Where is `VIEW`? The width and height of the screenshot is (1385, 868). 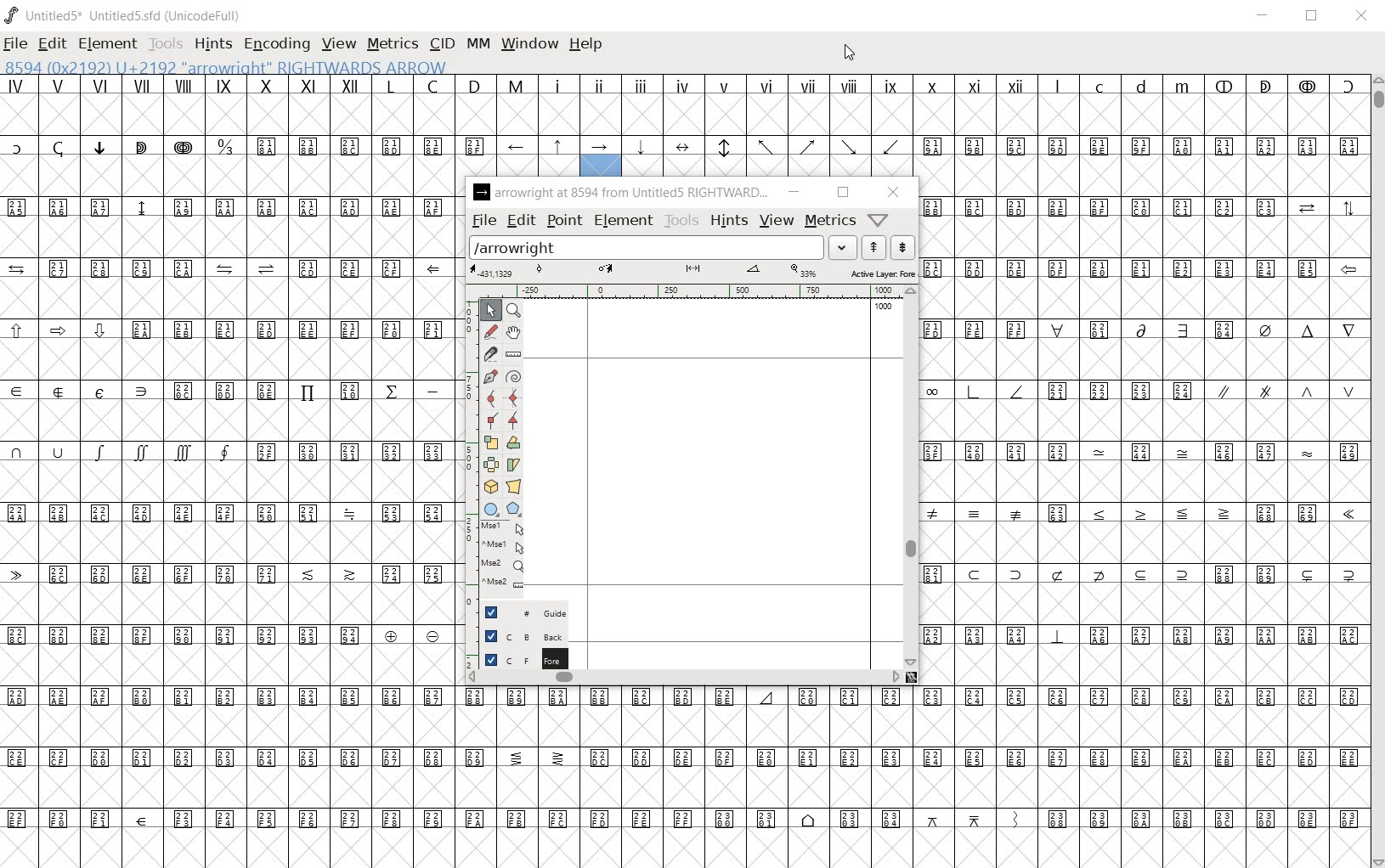 VIEW is located at coordinates (337, 44).